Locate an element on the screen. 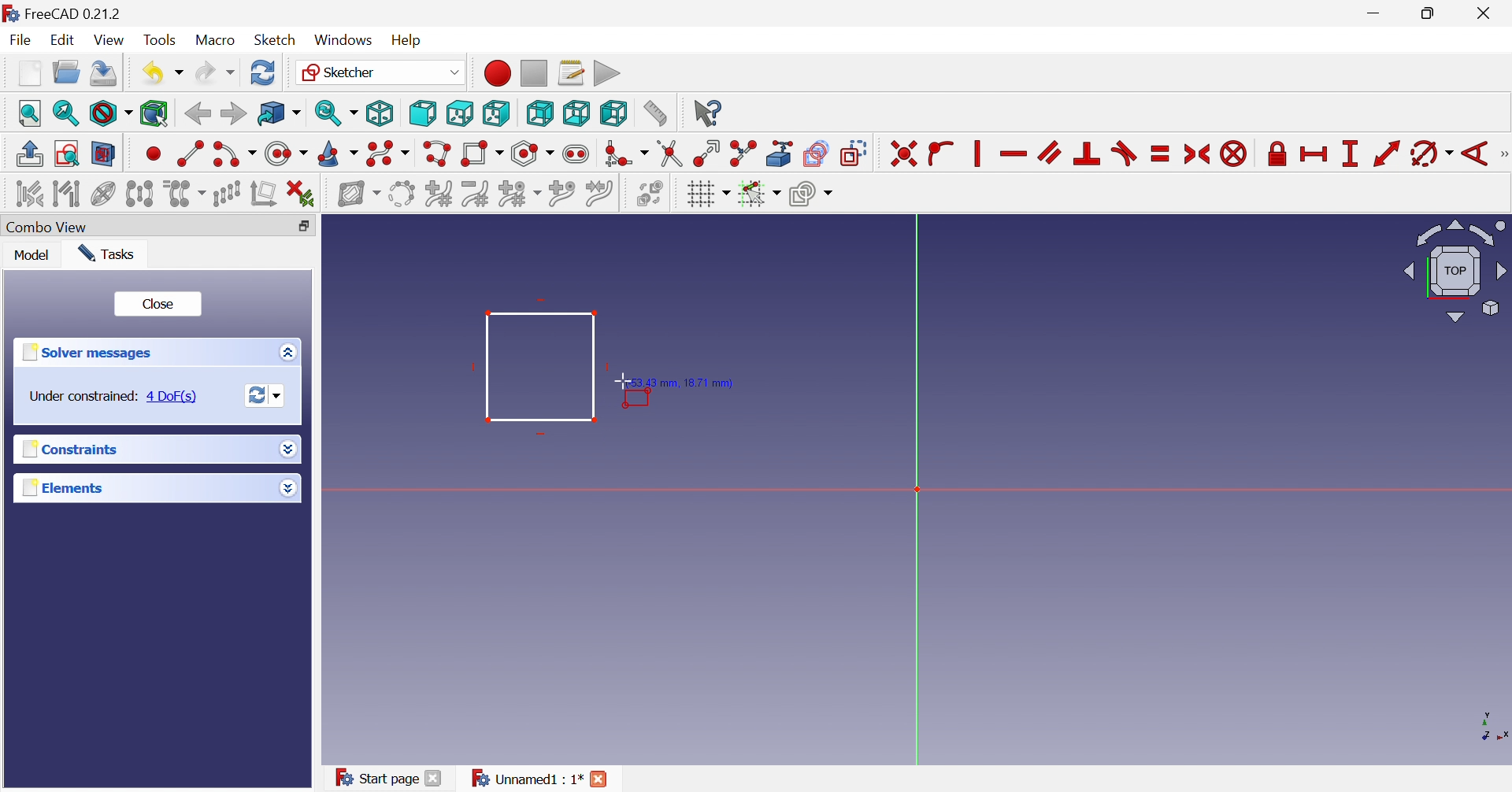 Image resolution: width=1512 pixels, height=792 pixels. What's this? is located at coordinates (706, 113).